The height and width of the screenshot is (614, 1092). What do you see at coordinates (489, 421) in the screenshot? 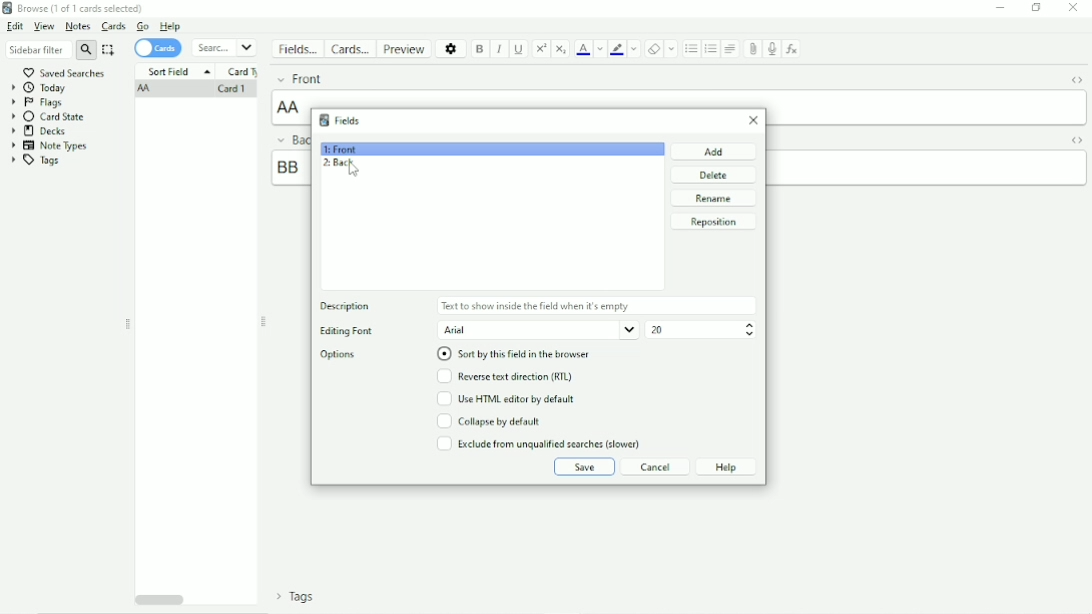
I see `Collapse by default` at bounding box center [489, 421].